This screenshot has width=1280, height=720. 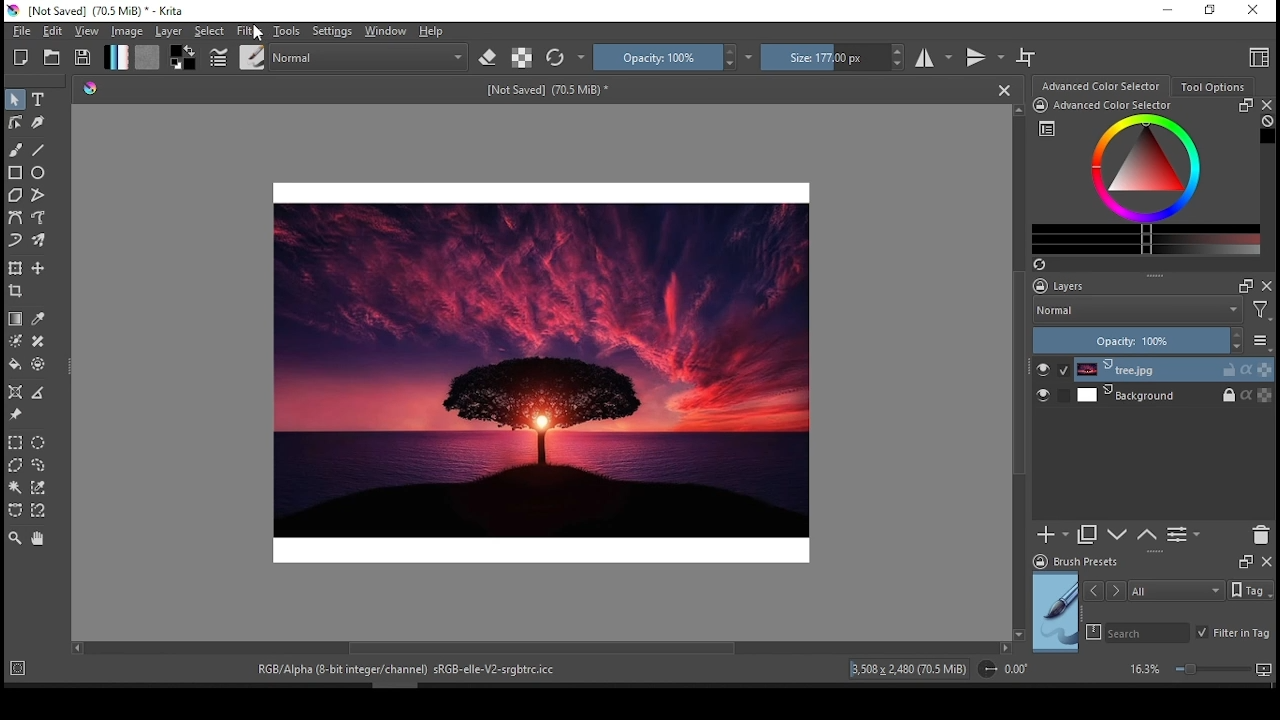 What do you see at coordinates (1208, 11) in the screenshot?
I see `restore` at bounding box center [1208, 11].